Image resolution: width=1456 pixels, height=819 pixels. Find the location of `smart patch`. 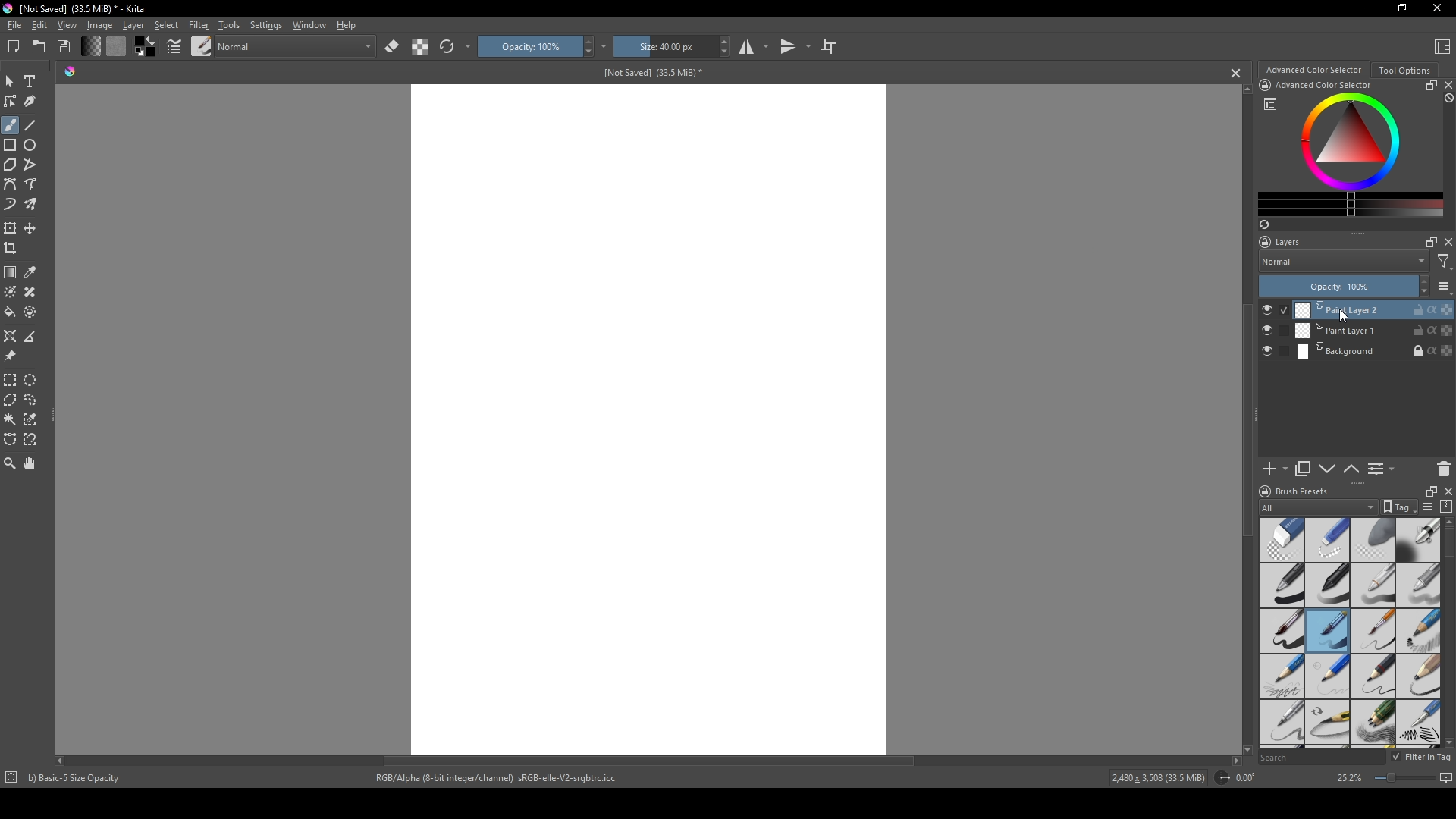

smart patch is located at coordinates (33, 292).